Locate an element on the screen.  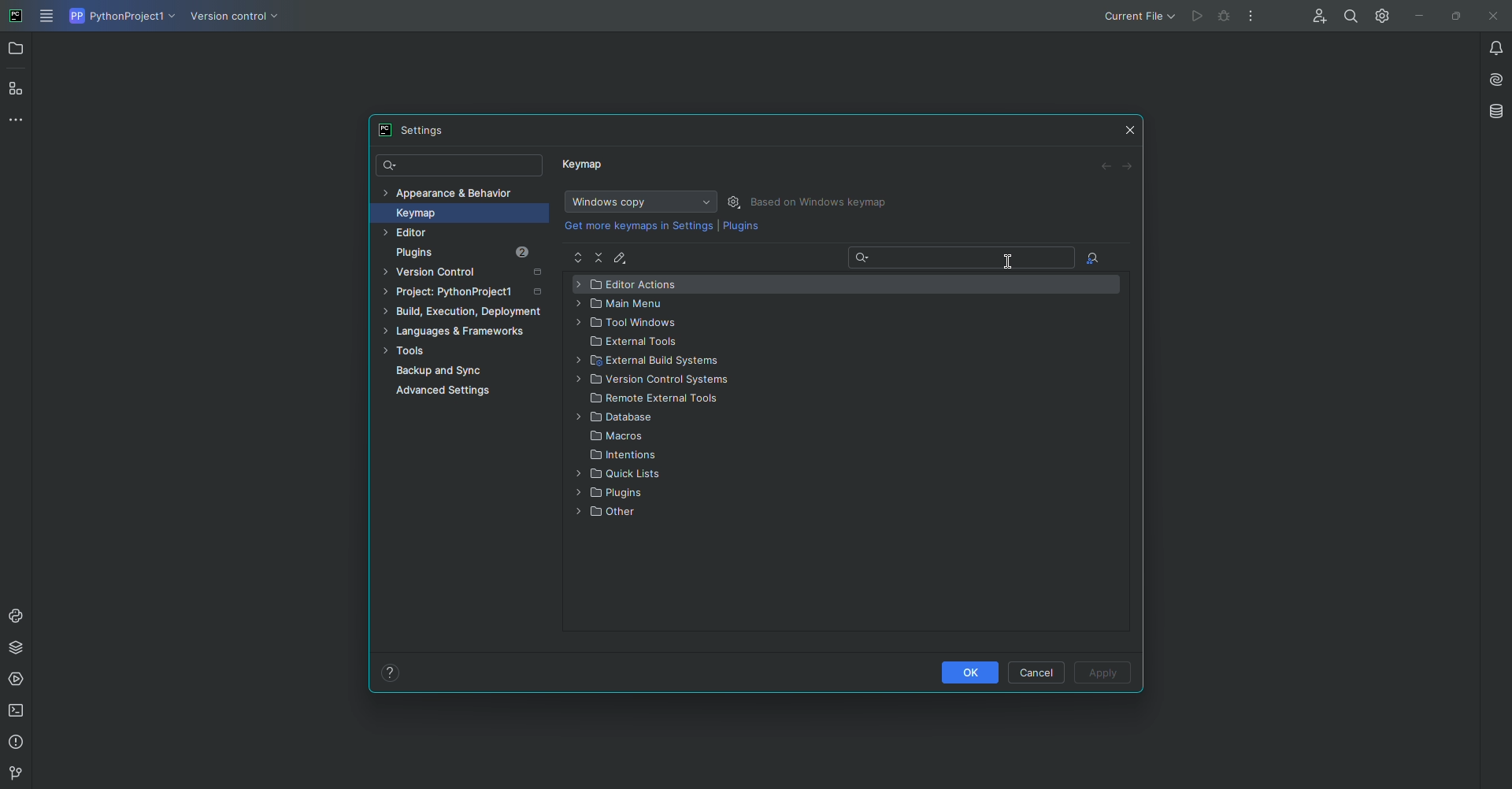
Structure is located at coordinates (17, 87).